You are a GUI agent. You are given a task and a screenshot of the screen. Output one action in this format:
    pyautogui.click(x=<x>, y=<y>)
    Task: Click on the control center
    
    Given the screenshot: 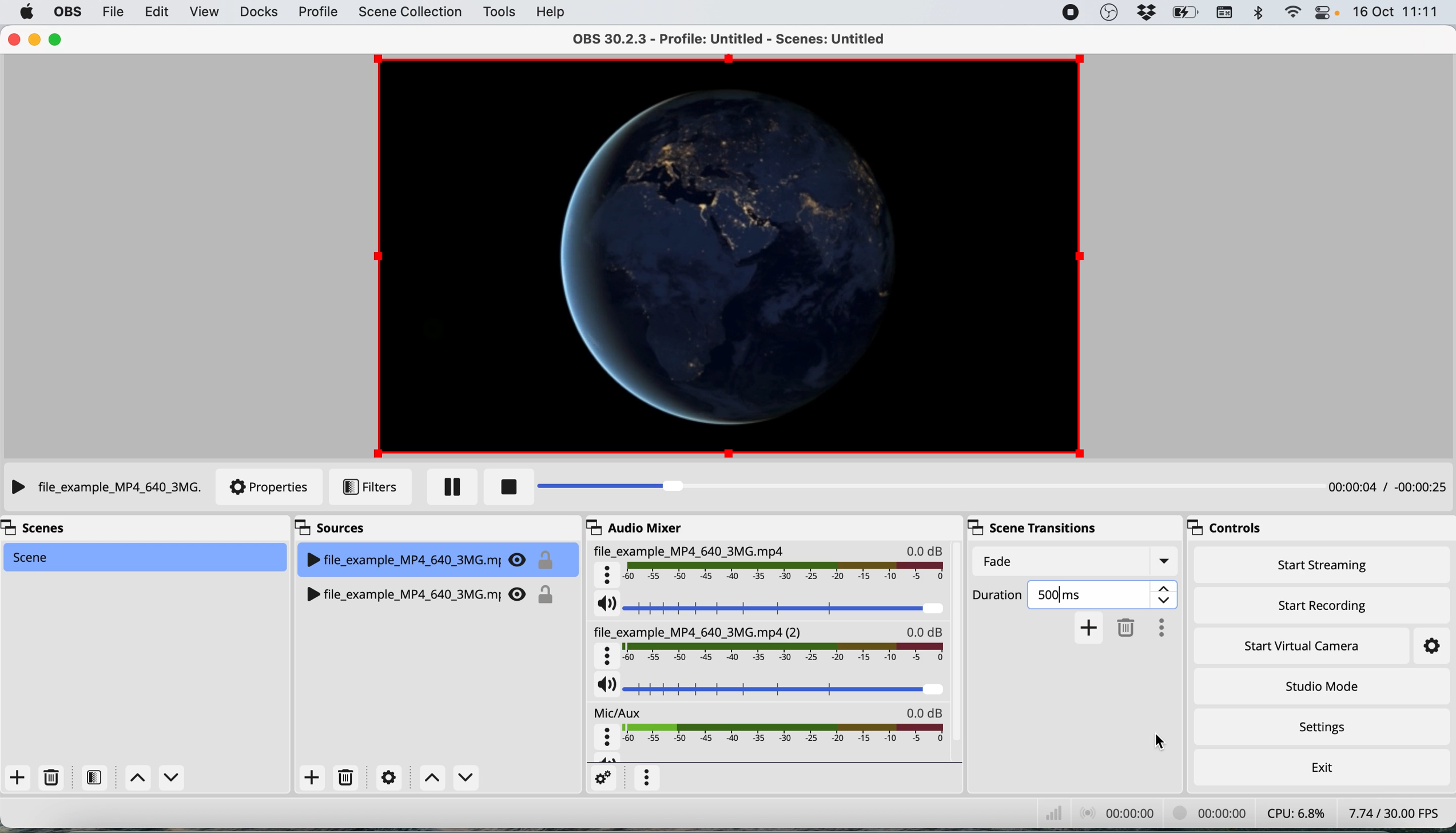 What is the action you would take?
    pyautogui.click(x=1322, y=13)
    